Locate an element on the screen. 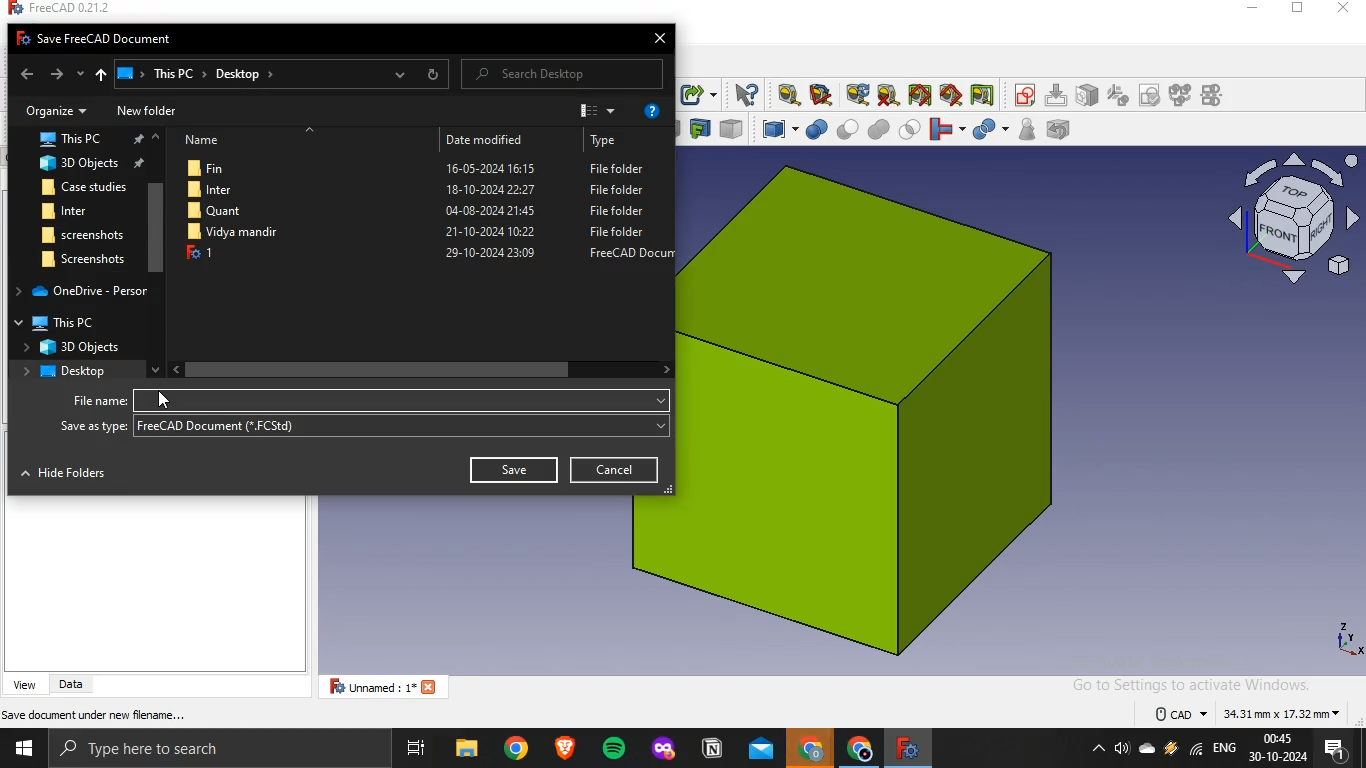 This screenshot has height=768, width=1366. axes icon is located at coordinates (1343, 641).